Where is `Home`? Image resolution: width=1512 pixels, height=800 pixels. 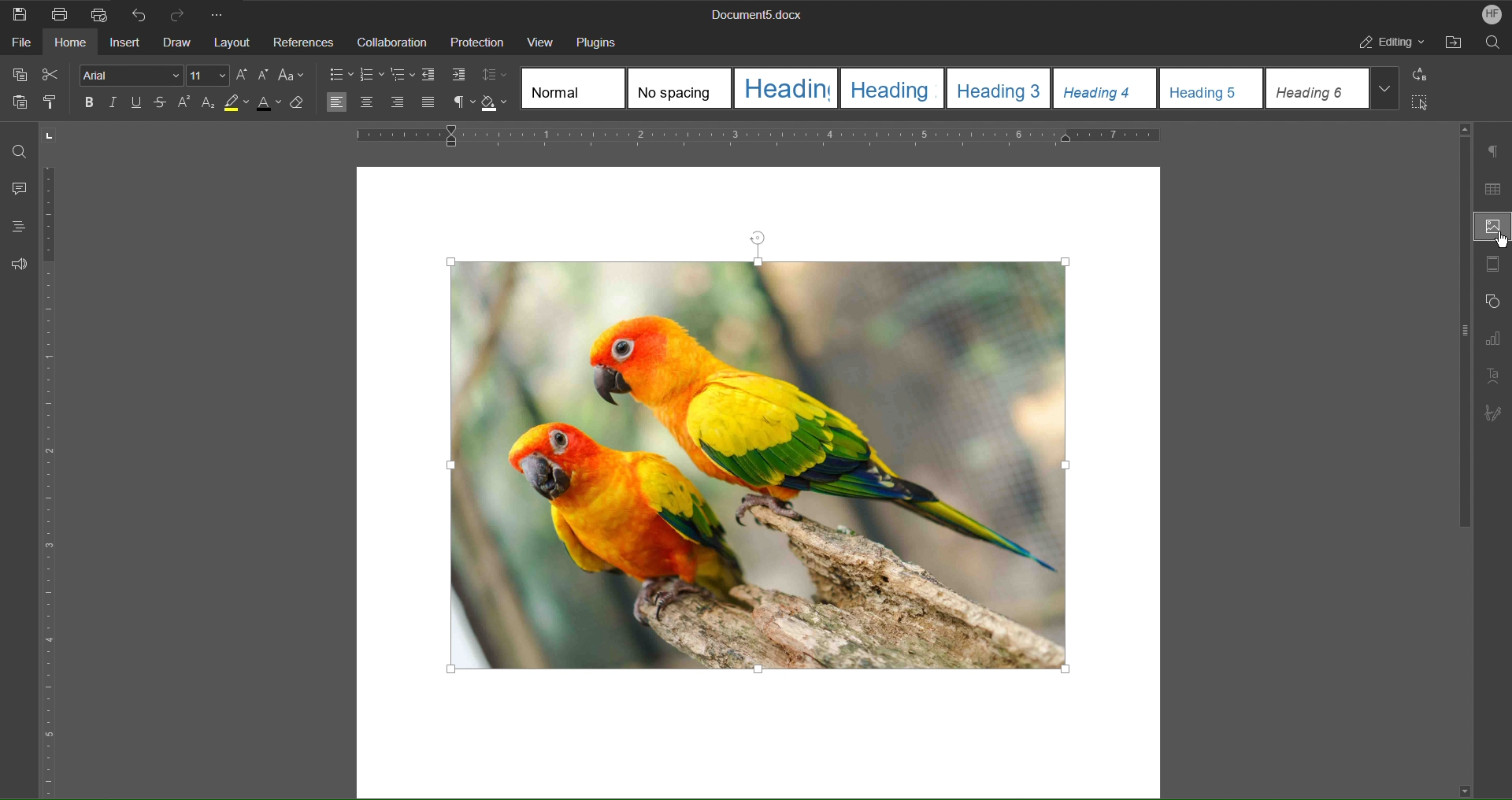 Home is located at coordinates (72, 45).